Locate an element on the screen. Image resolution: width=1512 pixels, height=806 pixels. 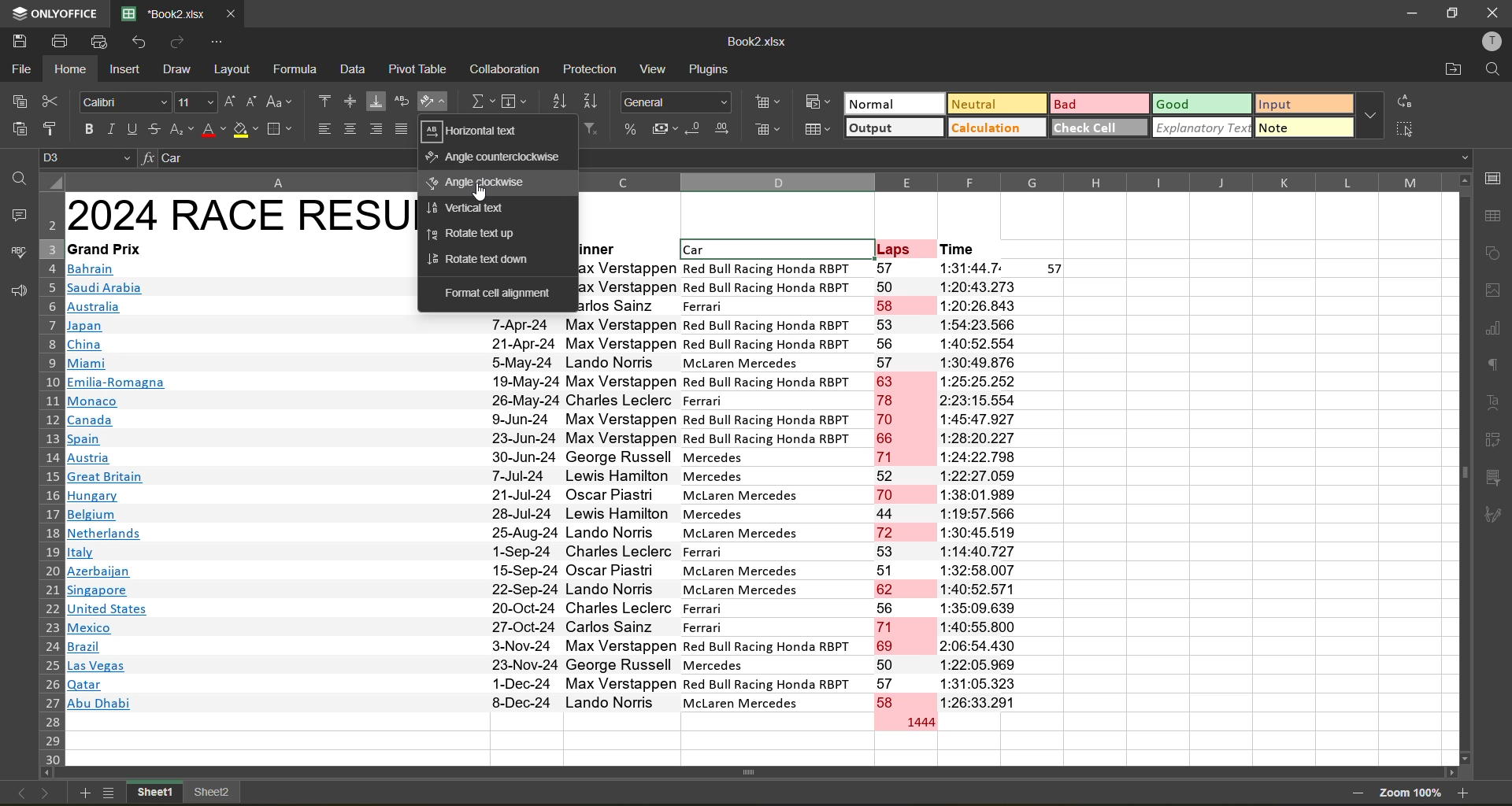
orientation is located at coordinates (430, 102).